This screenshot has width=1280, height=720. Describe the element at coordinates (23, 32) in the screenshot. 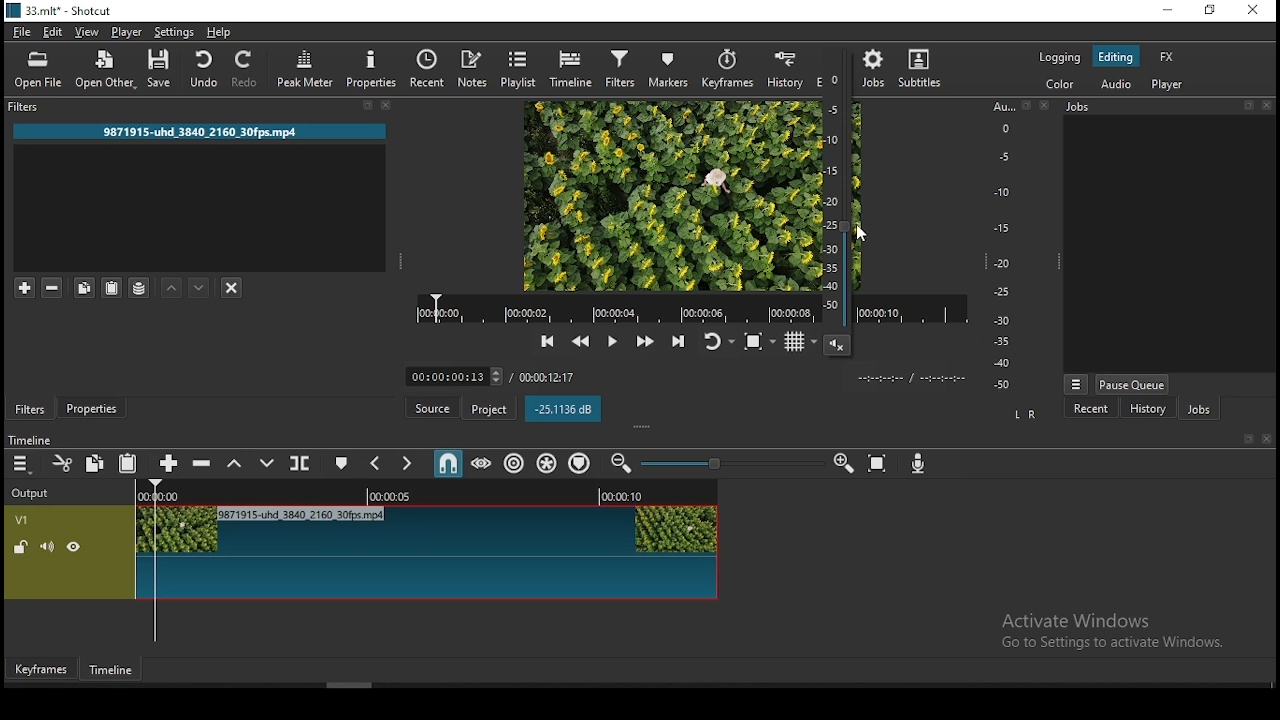

I see `file` at that location.